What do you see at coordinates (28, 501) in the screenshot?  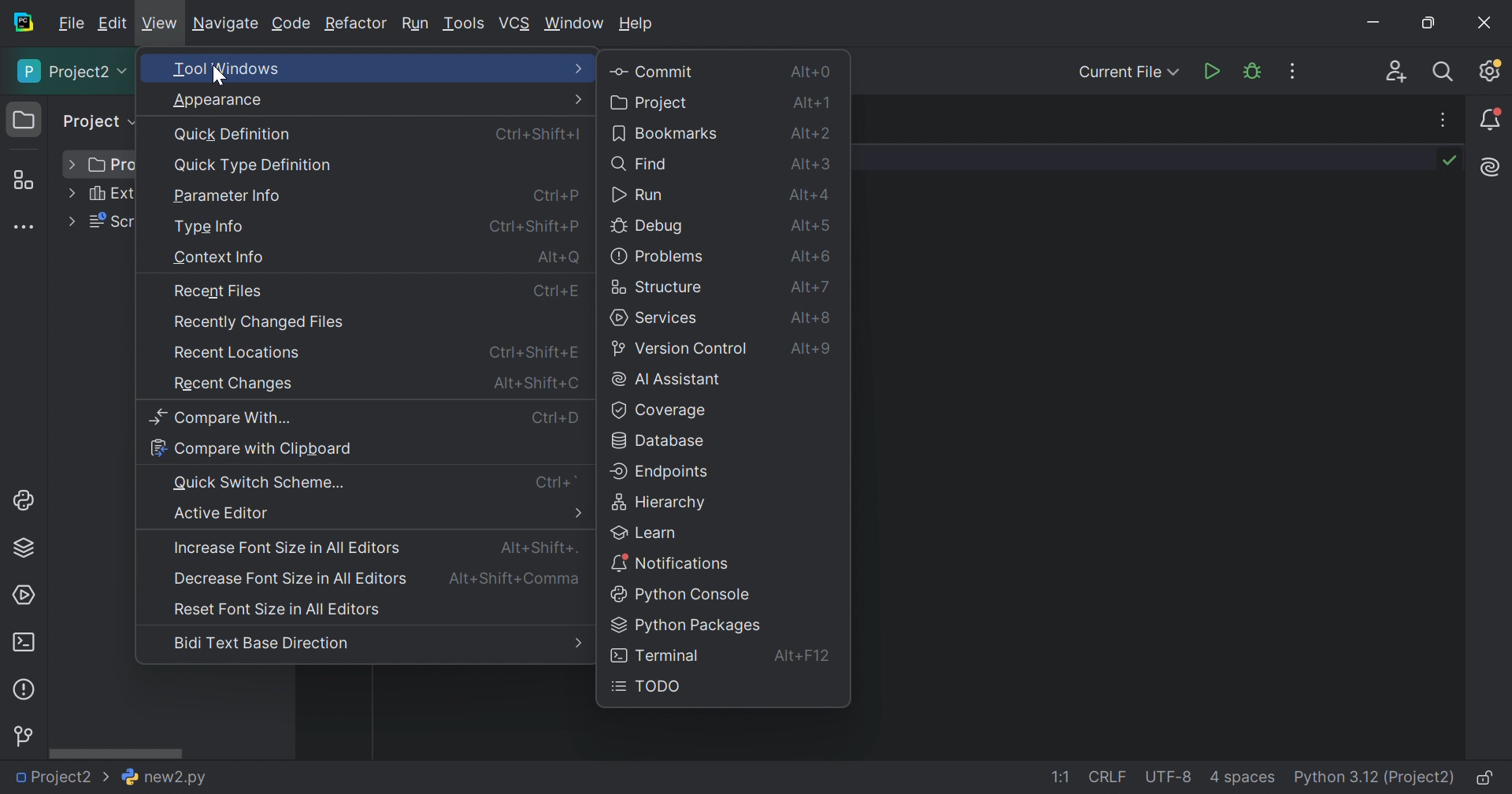 I see `Python Console` at bounding box center [28, 501].